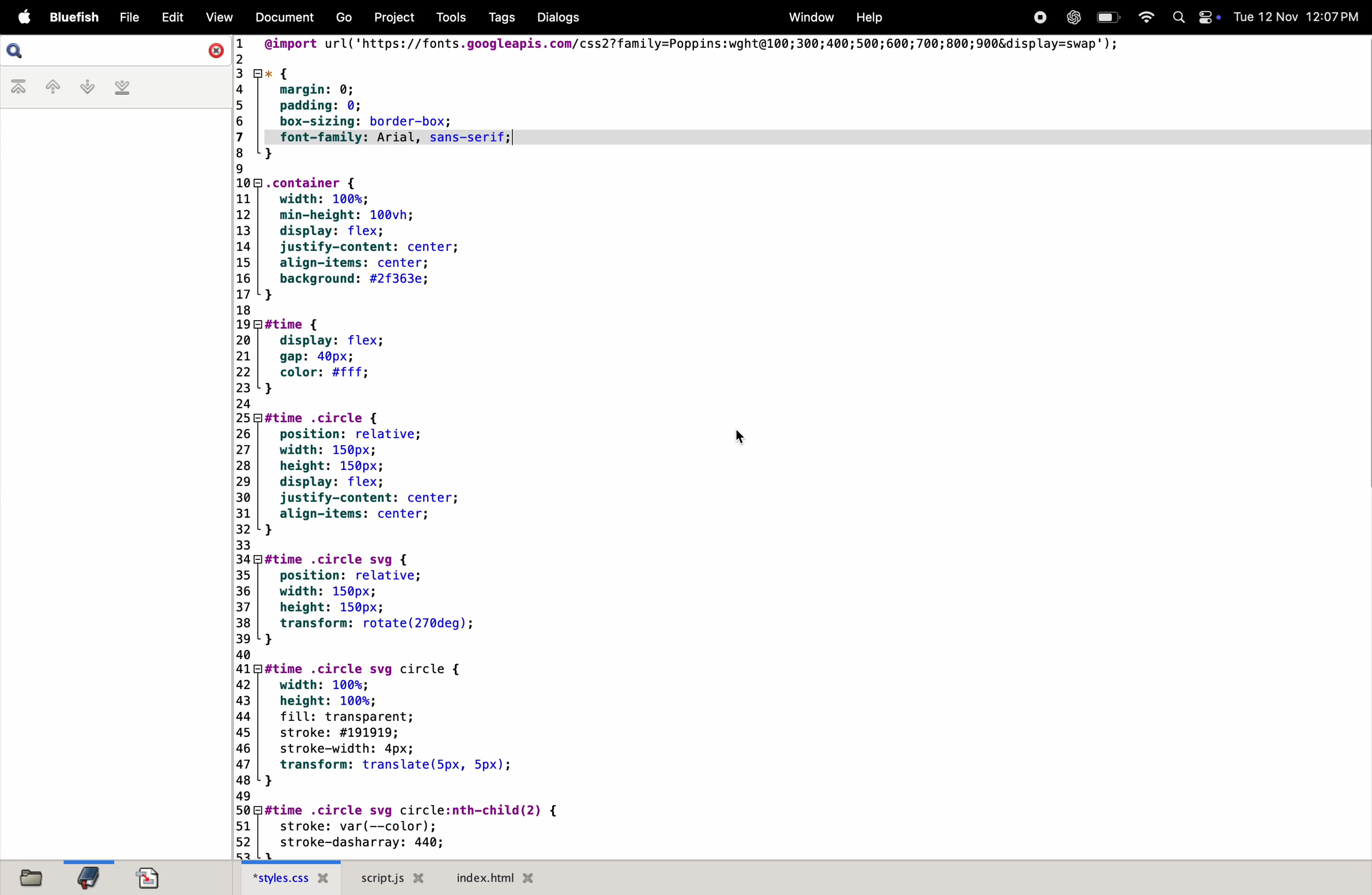 Image resolution: width=1372 pixels, height=895 pixels. I want to click on window, so click(809, 17).